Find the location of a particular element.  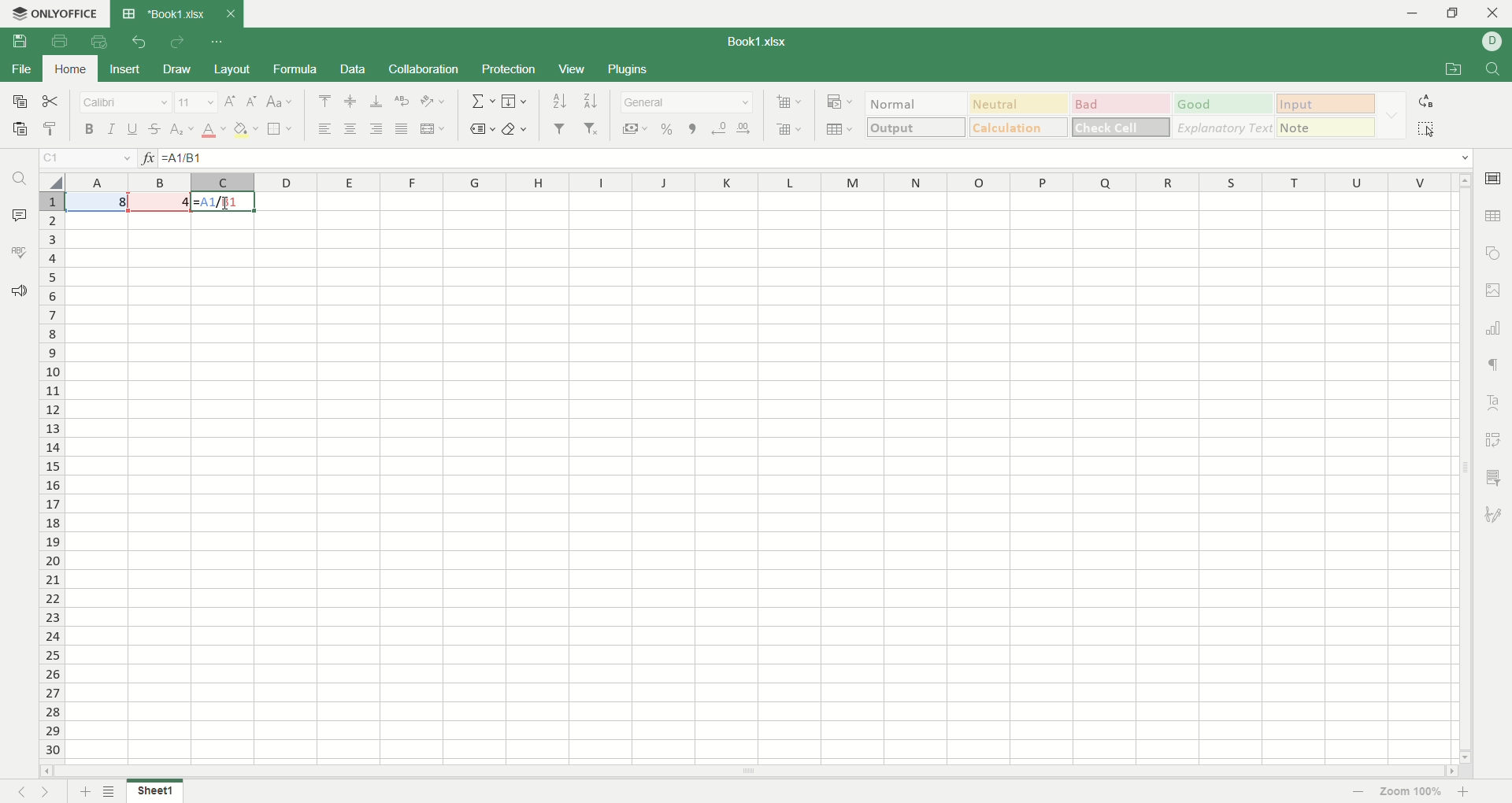

number format is located at coordinates (687, 102).